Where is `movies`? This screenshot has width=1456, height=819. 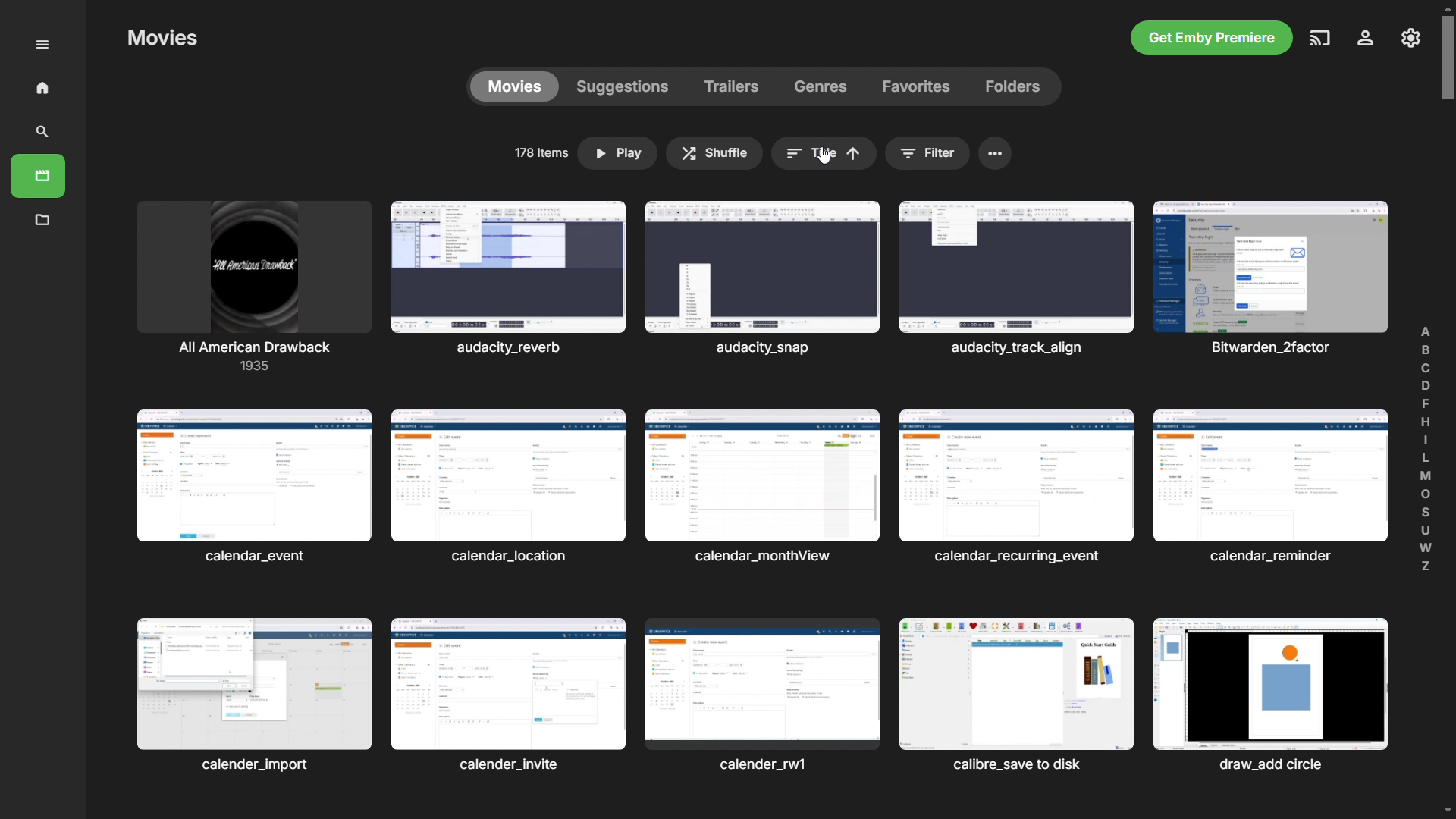
movies is located at coordinates (42, 174).